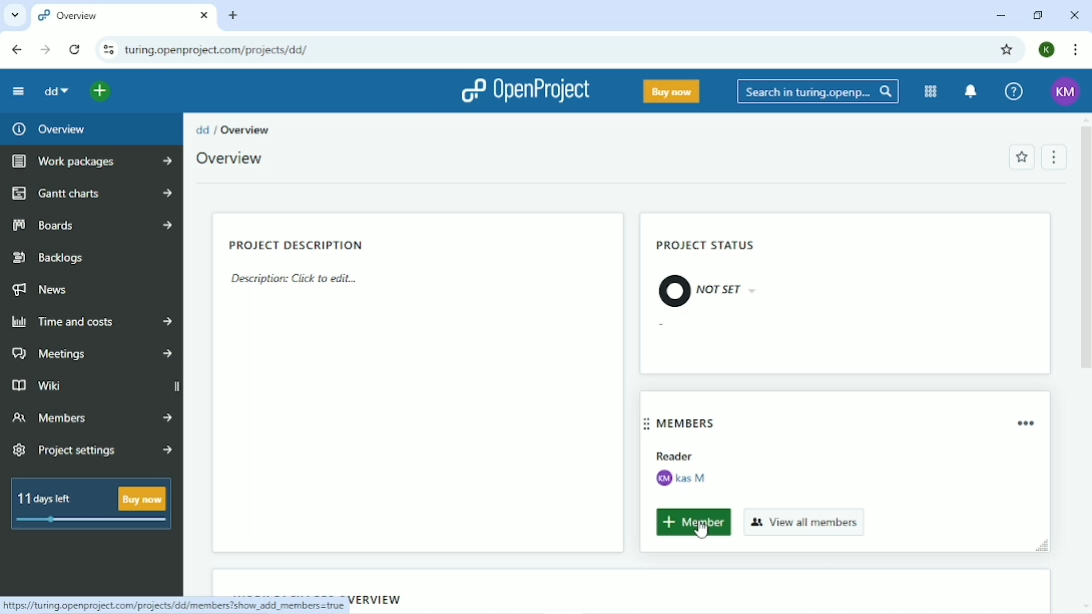  Describe the element at coordinates (683, 455) in the screenshot. I see `Reader` at that location.